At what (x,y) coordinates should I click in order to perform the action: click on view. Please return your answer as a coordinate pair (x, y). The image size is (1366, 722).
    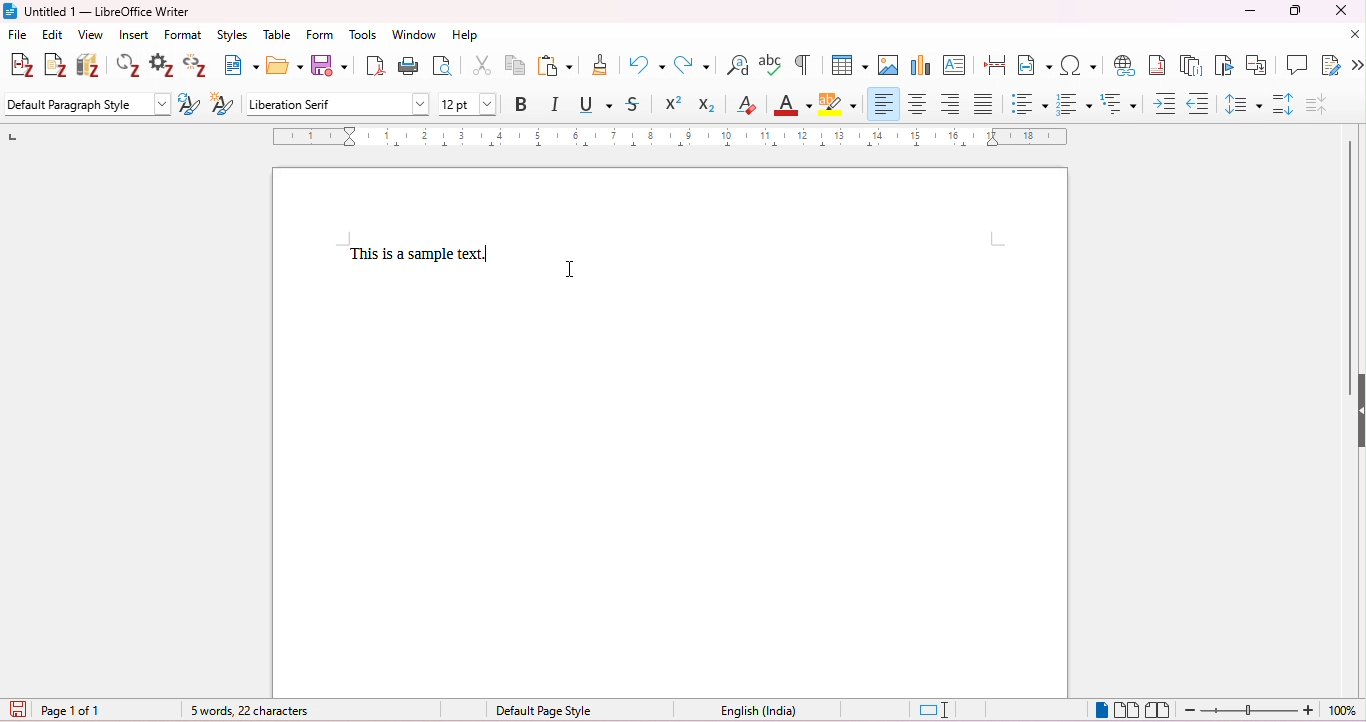
    Looking at the image, I should click on (93, 35).